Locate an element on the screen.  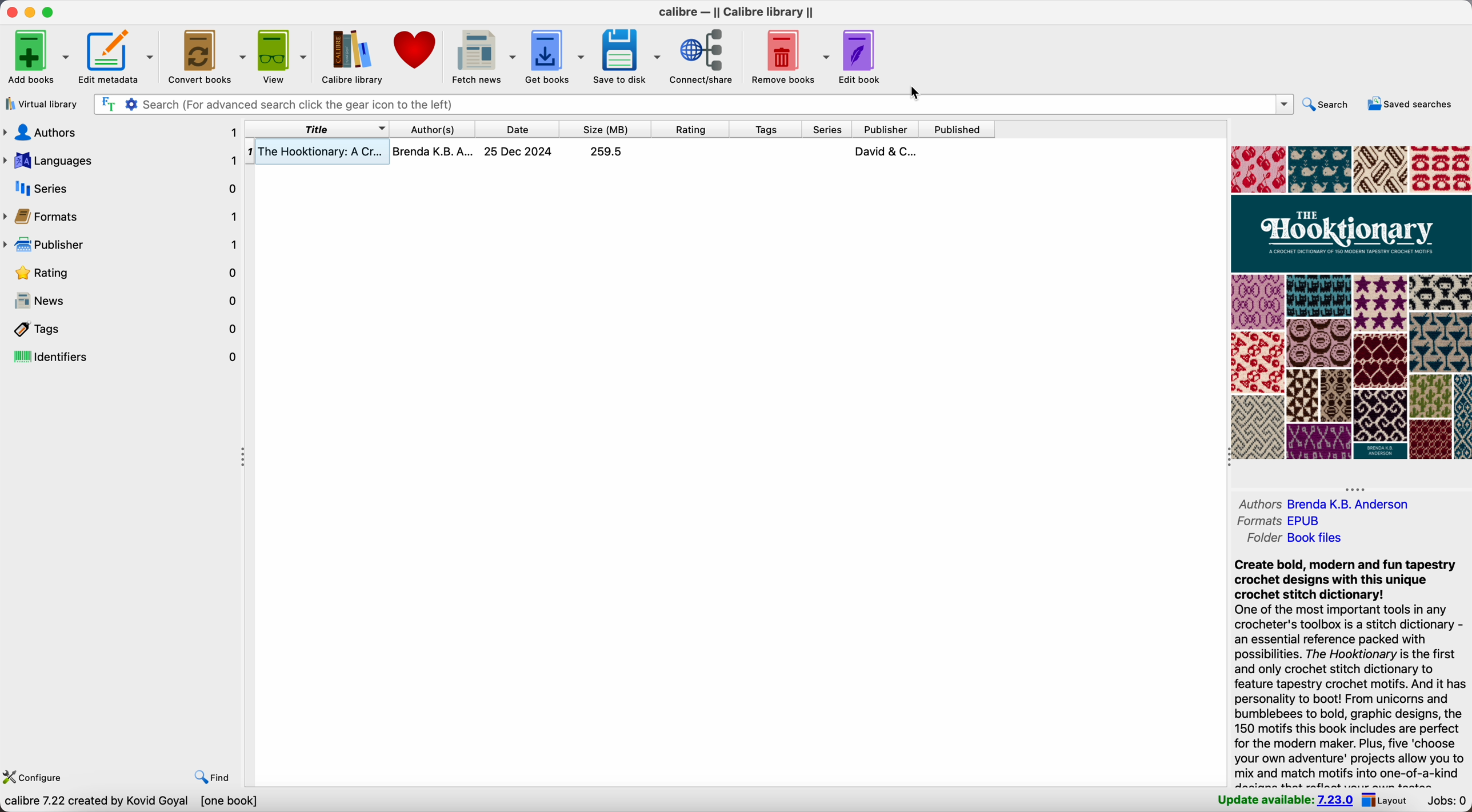
synopsis is located at coordinates (1348, 670).